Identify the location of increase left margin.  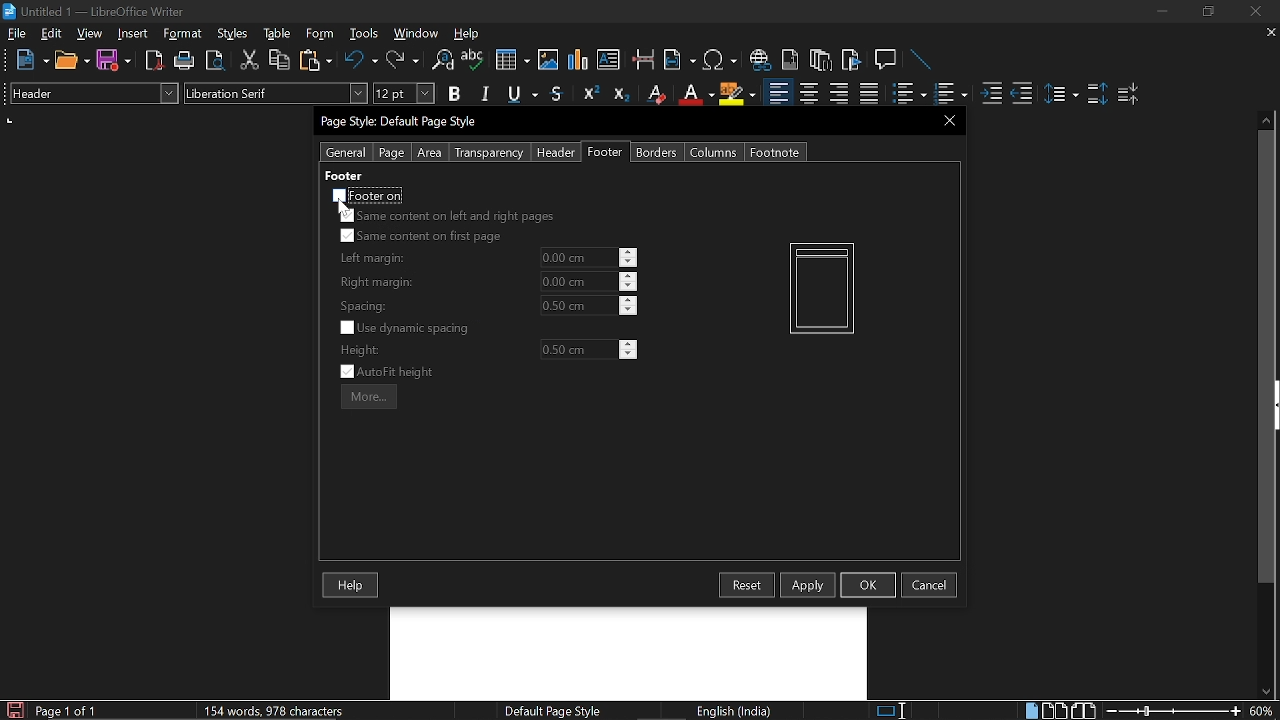
(629, 252).